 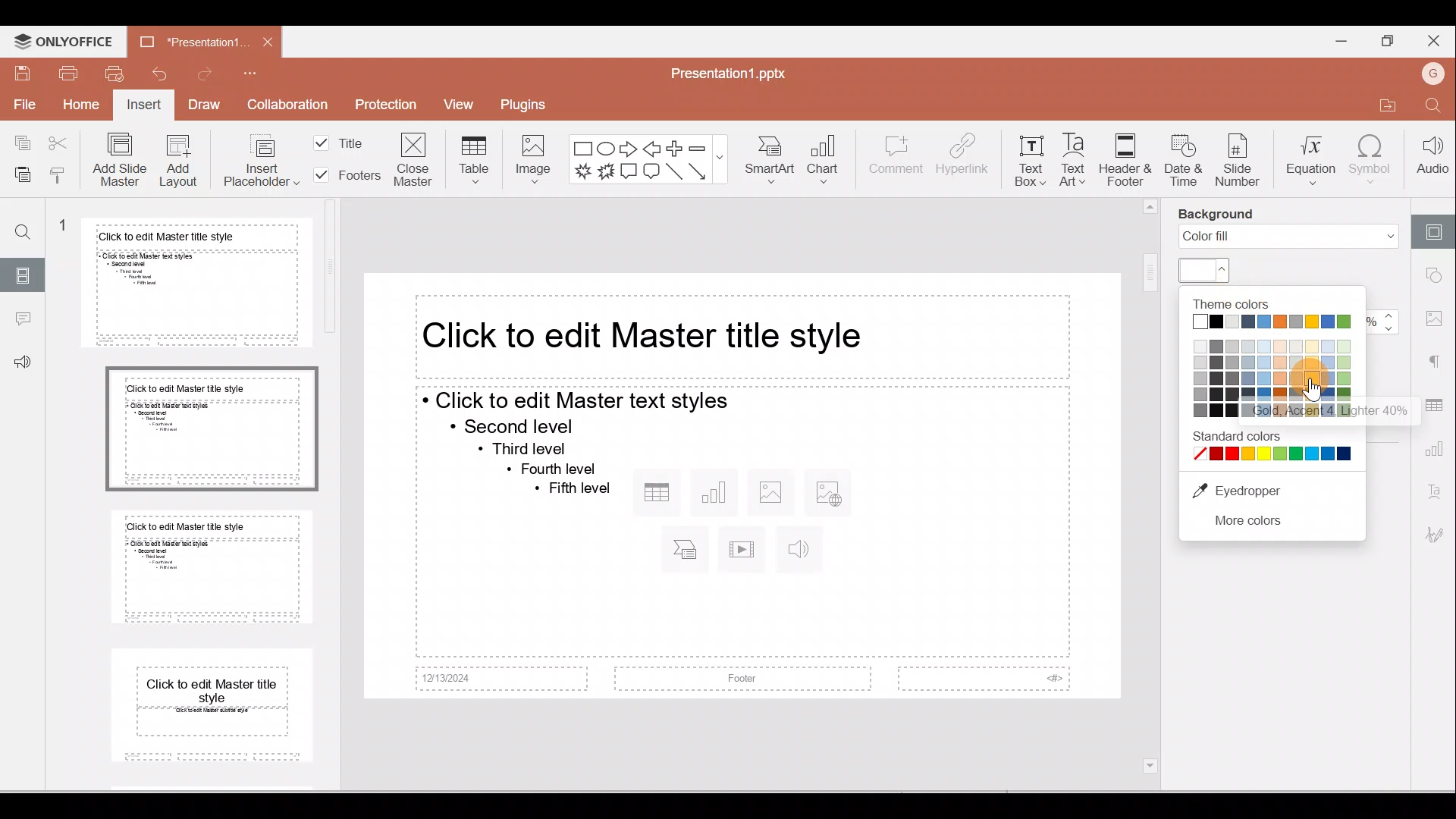 What do you see at coordinates (62, 42) in the screenshot?
I see `ONLYOFFICE` at bounding box center [62, 42].